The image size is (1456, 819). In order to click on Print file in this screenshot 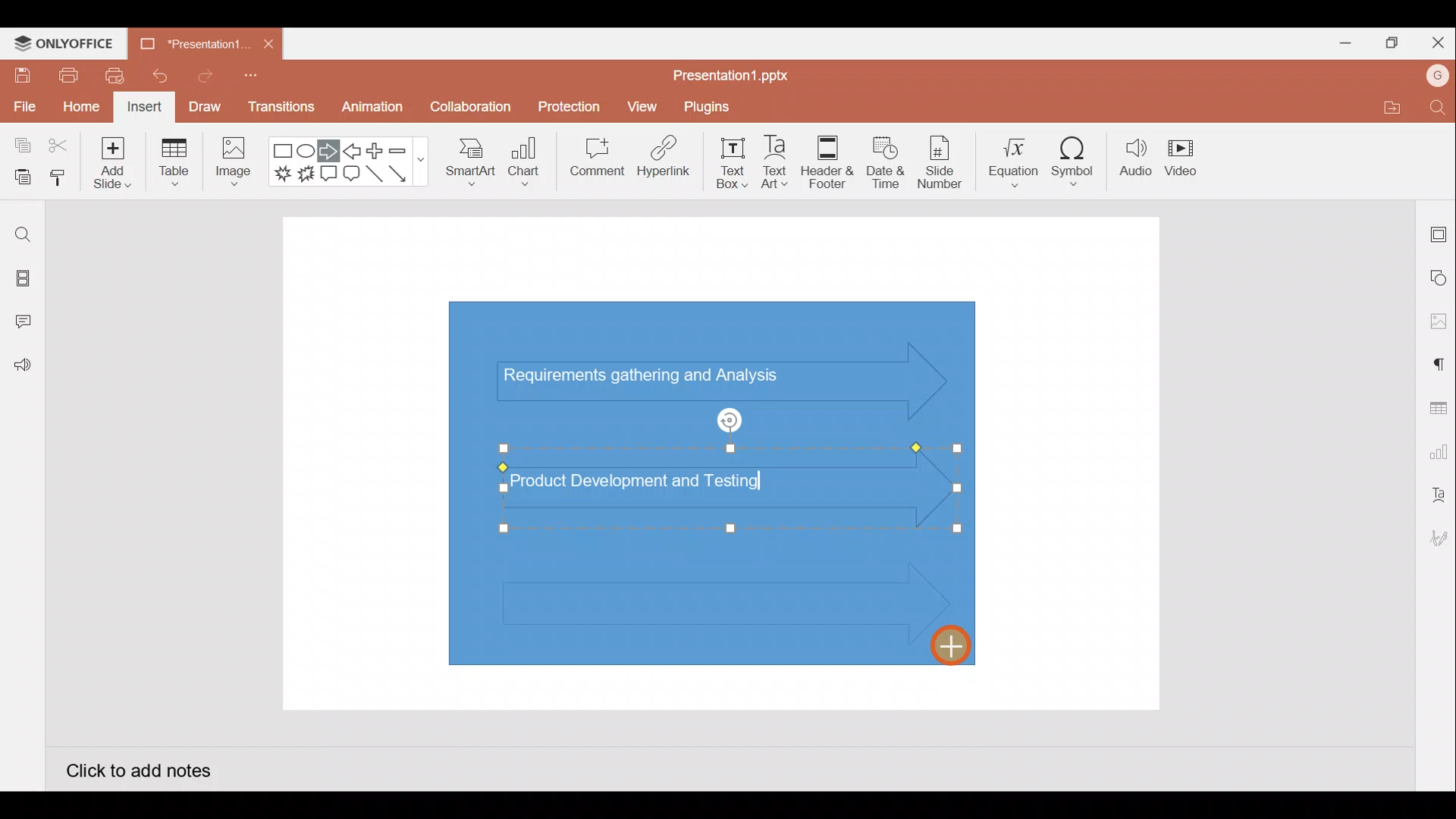, I will do `click(67, 74)`.